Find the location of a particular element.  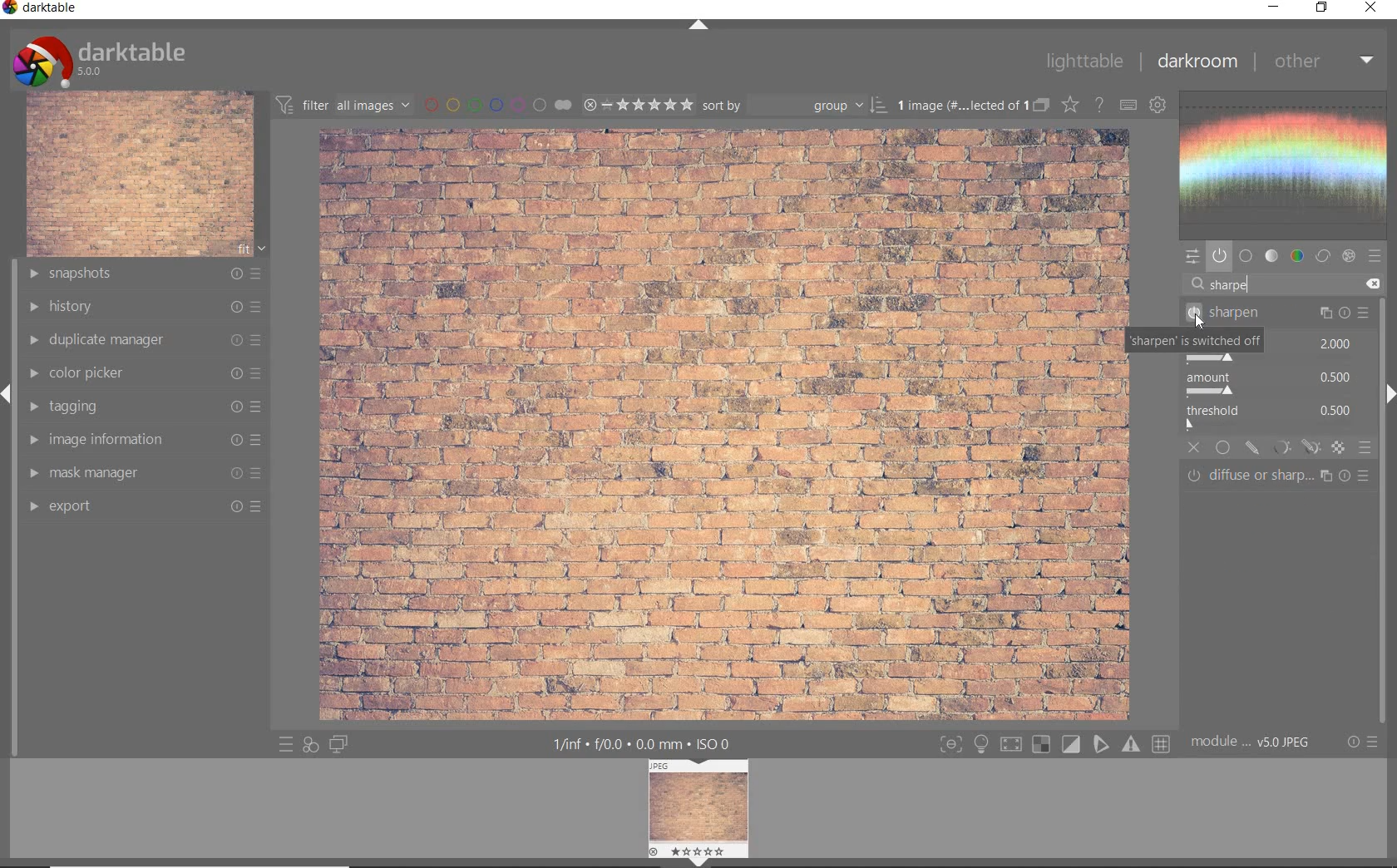

DELETED is located at coordinates (1375, 284).